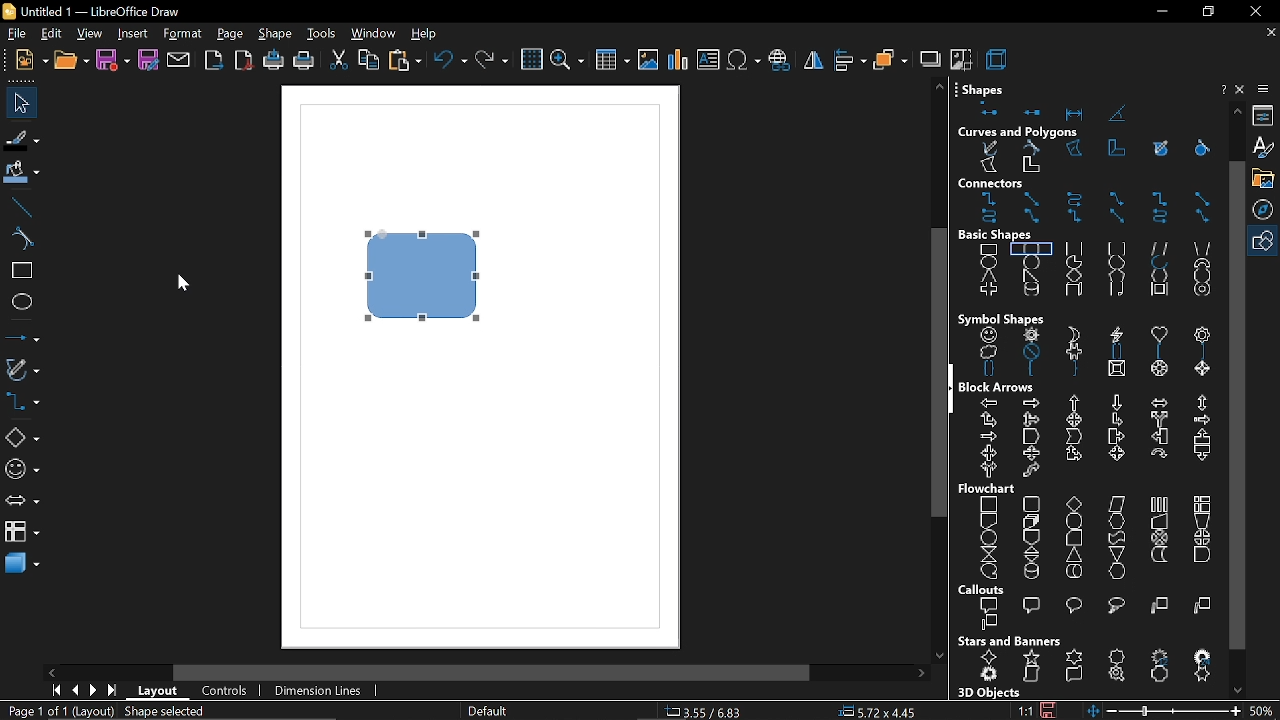  Describe the element at coordinates (149, 61) in the screenshot. I see `save as` at that location.